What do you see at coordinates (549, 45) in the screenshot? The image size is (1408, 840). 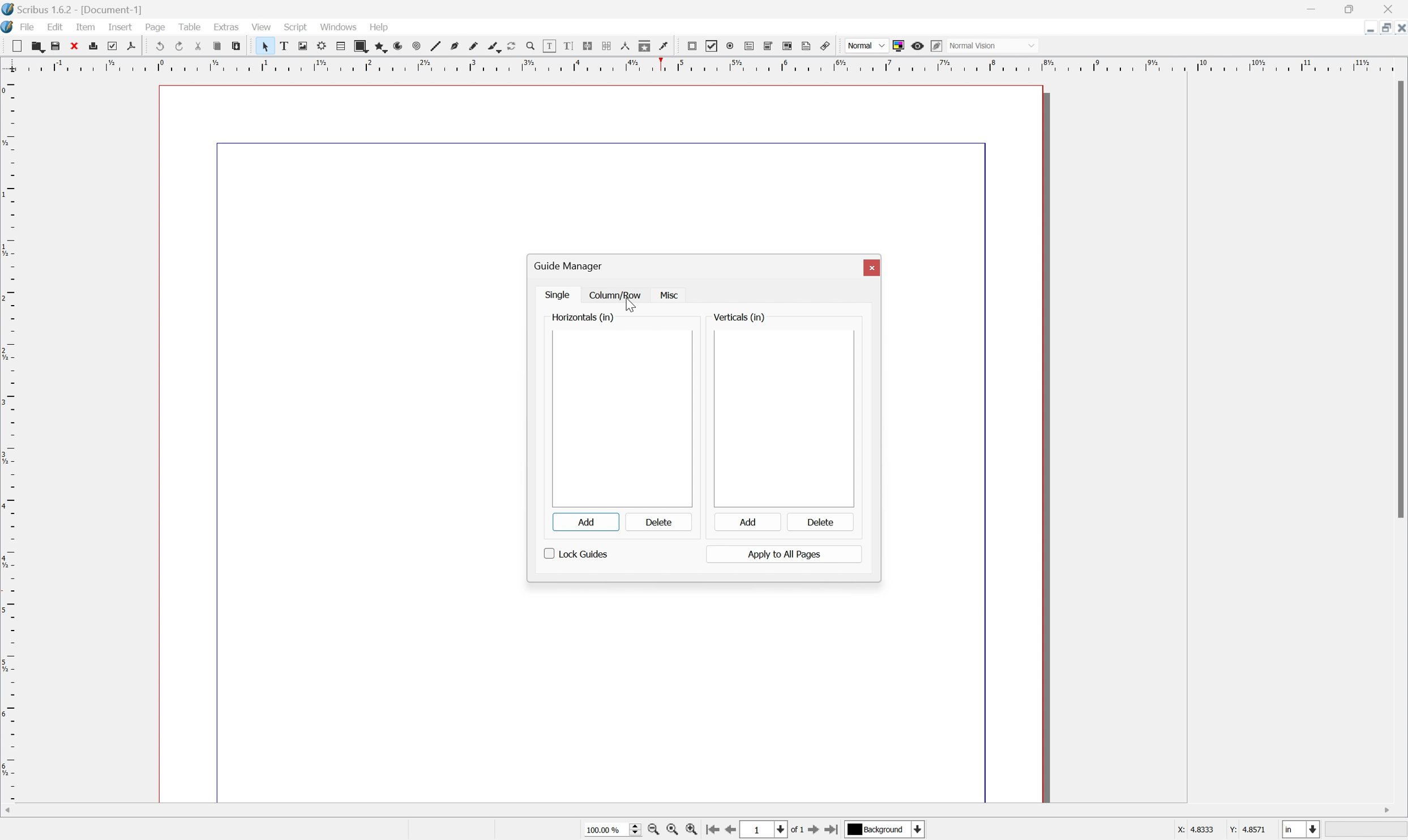 I see `edit contents of frame` at bounding box center [549, 45].